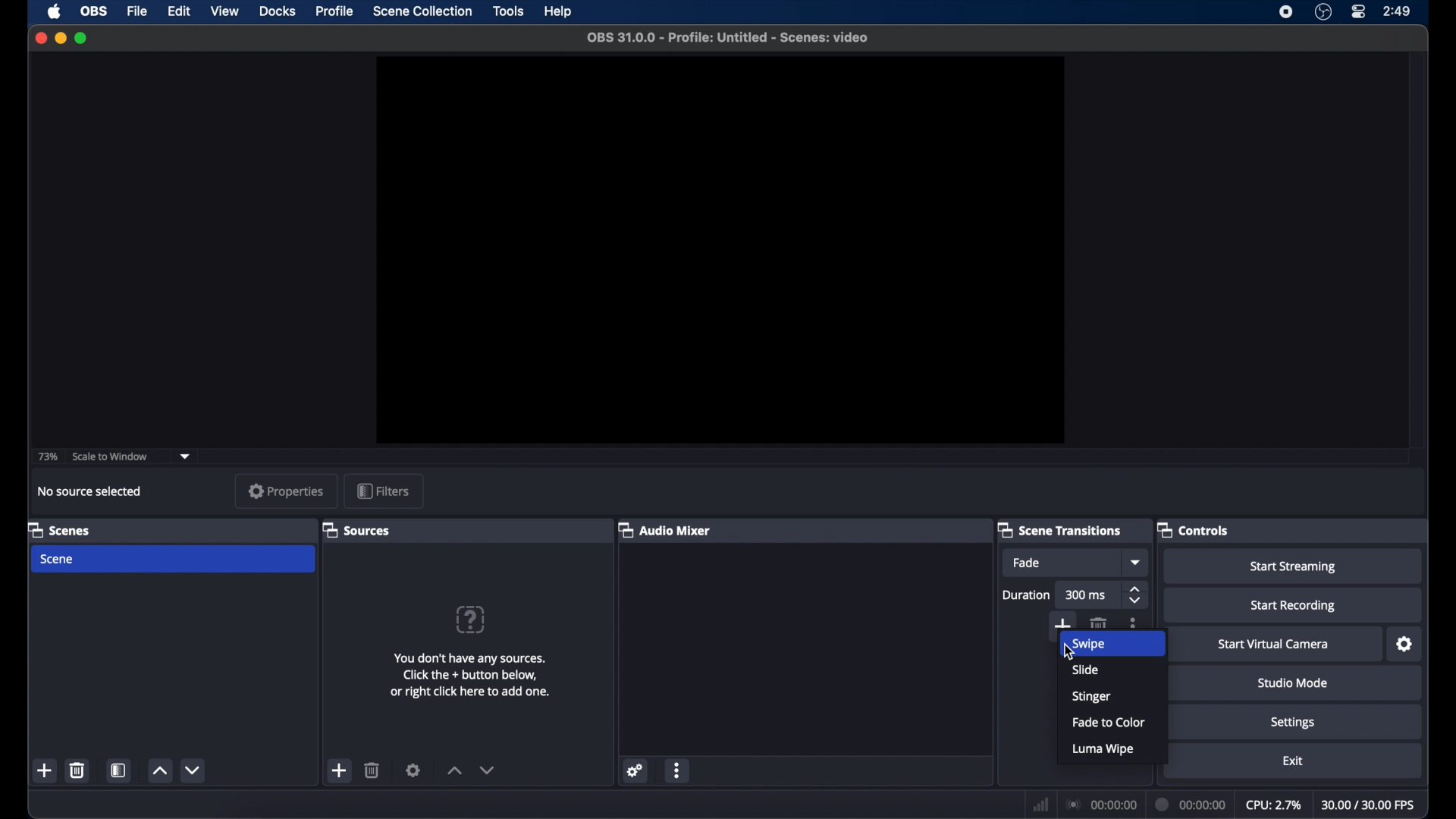 This screenshot has height=819, width=1456. Describe the element at coordinates (118, 771) in the screenshot. I see `scene filters` at that location.